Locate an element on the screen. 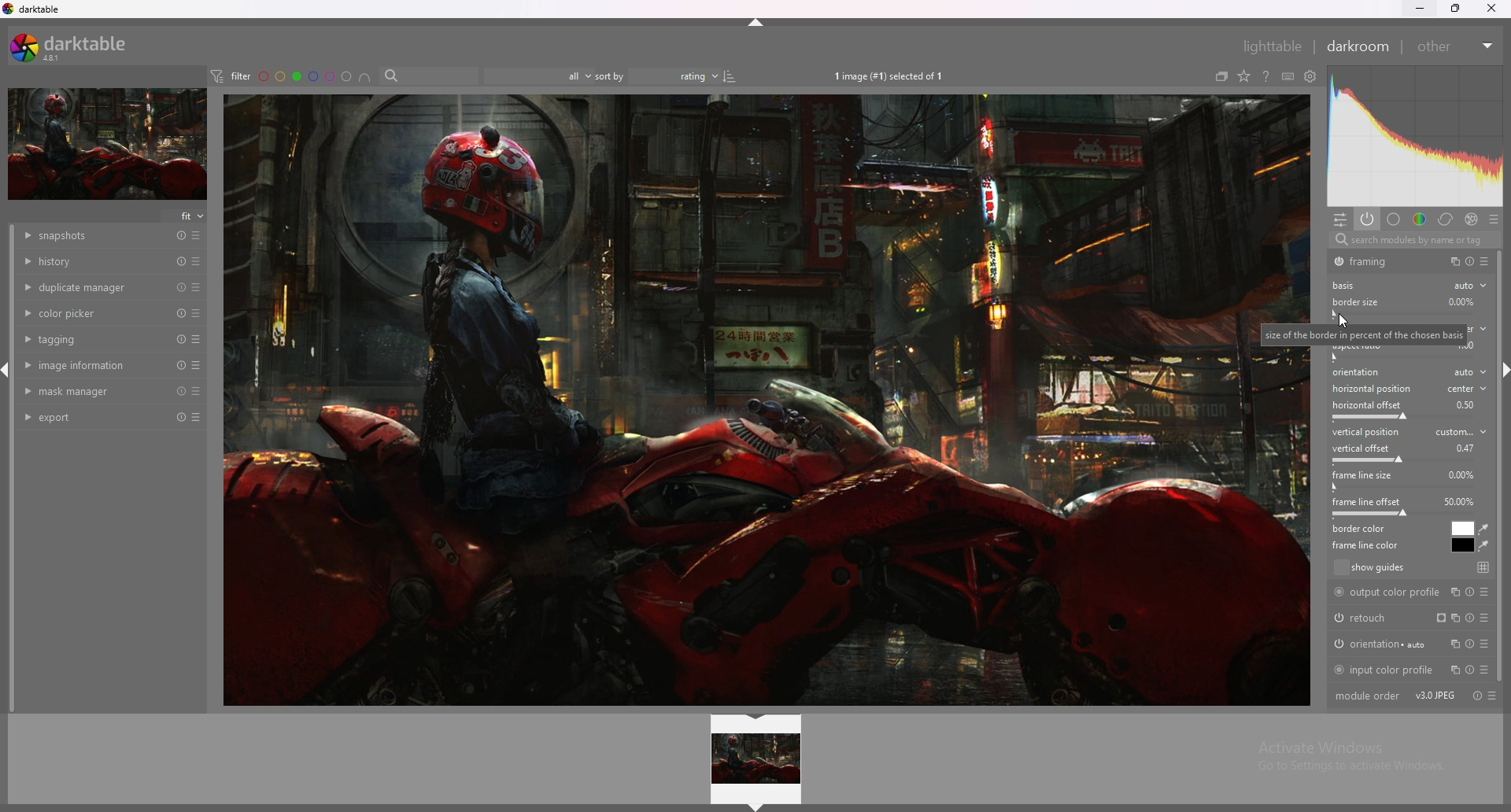  presets is located at coordinates (197, 261).